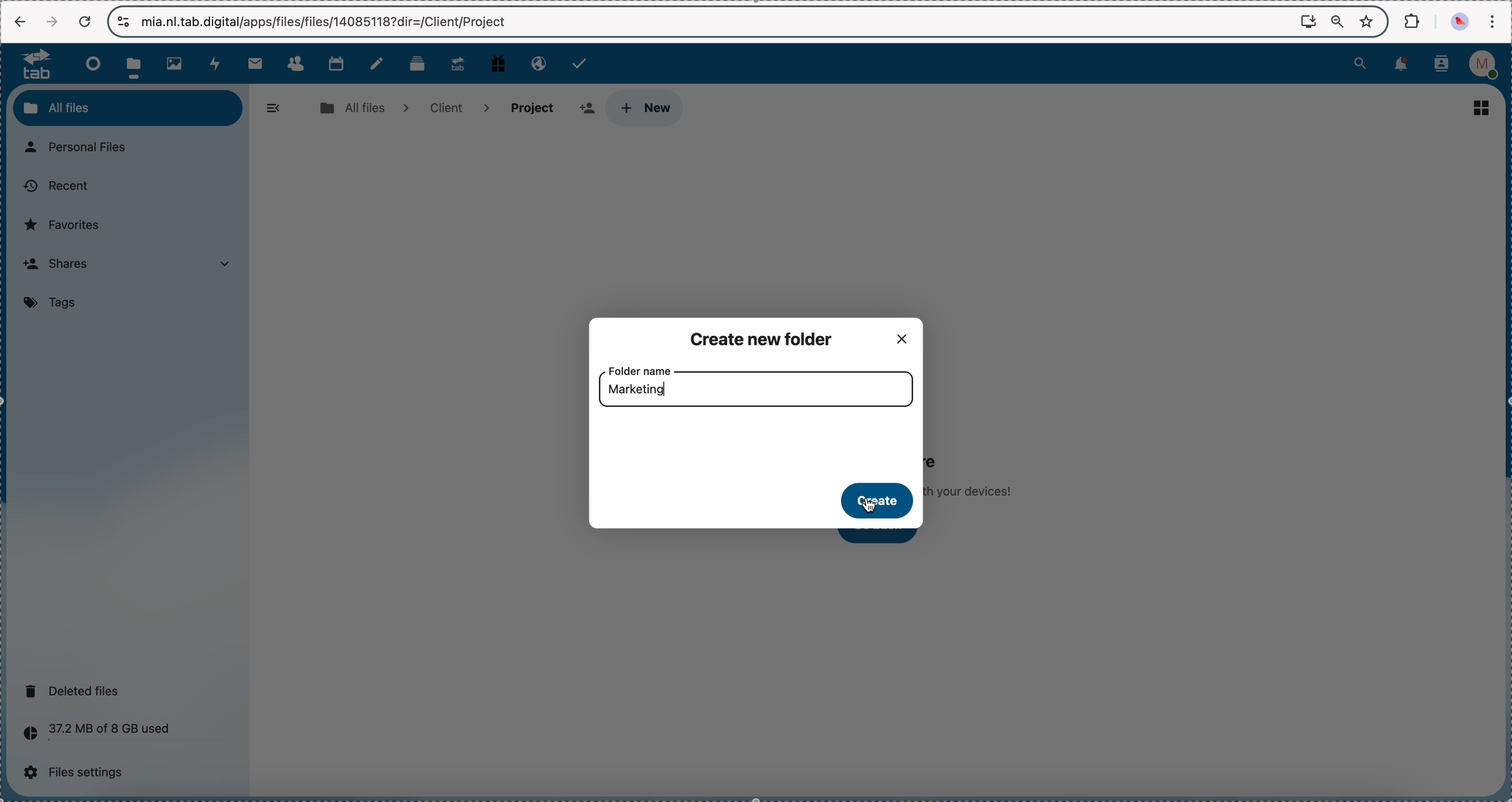  What do you see at coordinates (274, 109) in the screenshot?
I see `hide menu` at bounding box center [274, 109].